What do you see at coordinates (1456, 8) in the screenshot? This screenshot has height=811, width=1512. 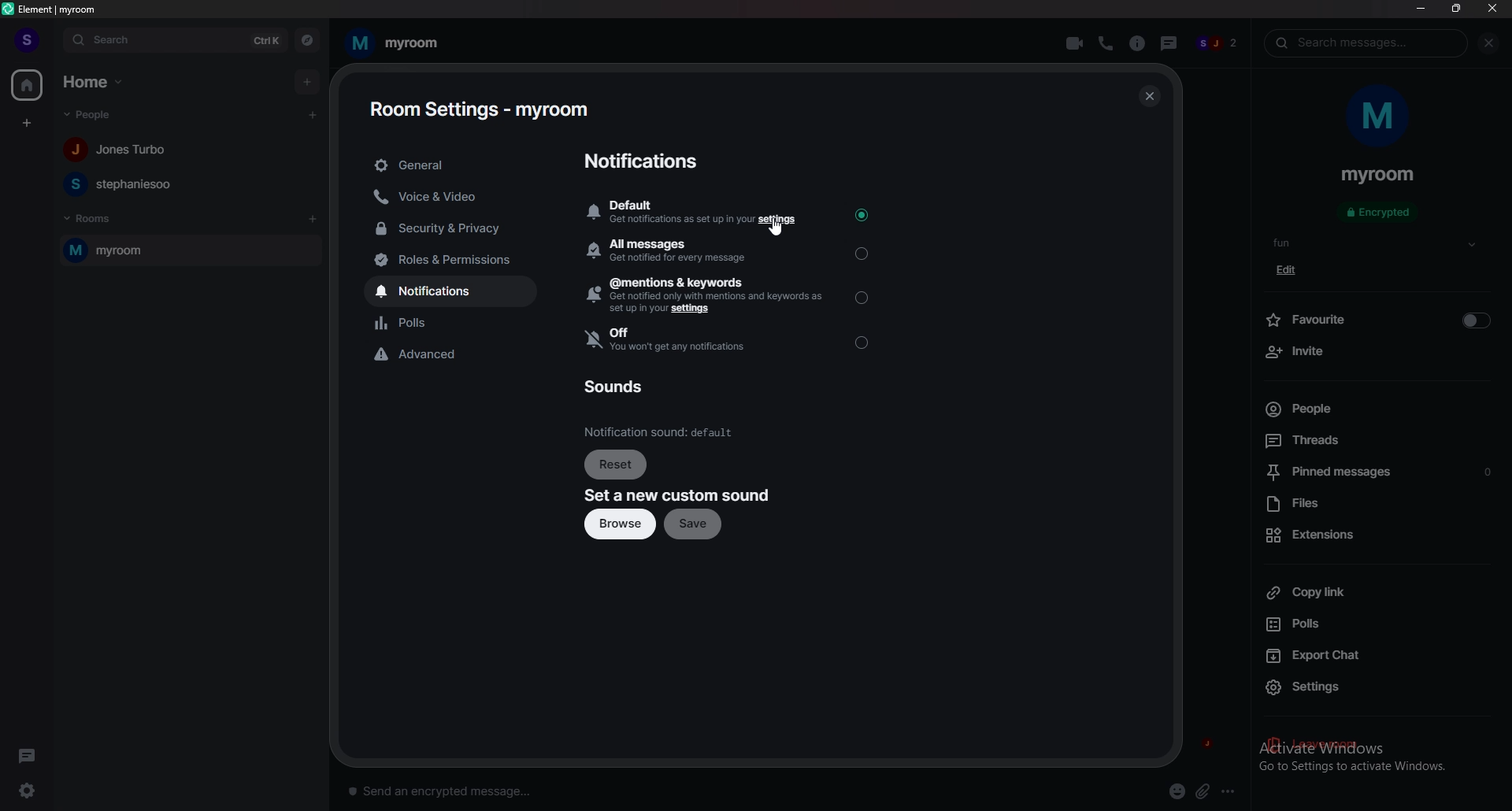 I see `resize` at bounding box center [1456, 8].